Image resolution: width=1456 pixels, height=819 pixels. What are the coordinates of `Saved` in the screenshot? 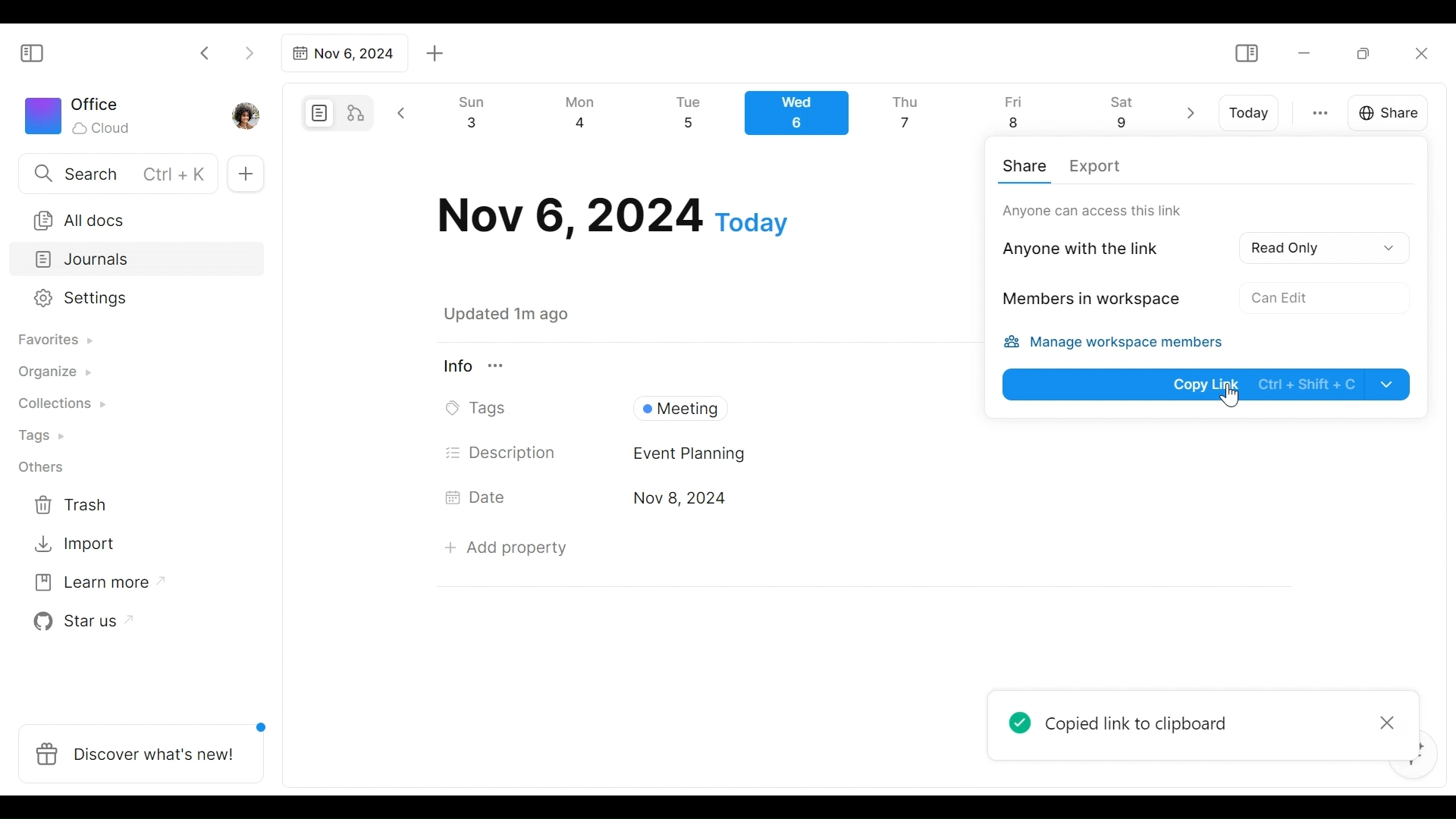 It's located at (525, 314).